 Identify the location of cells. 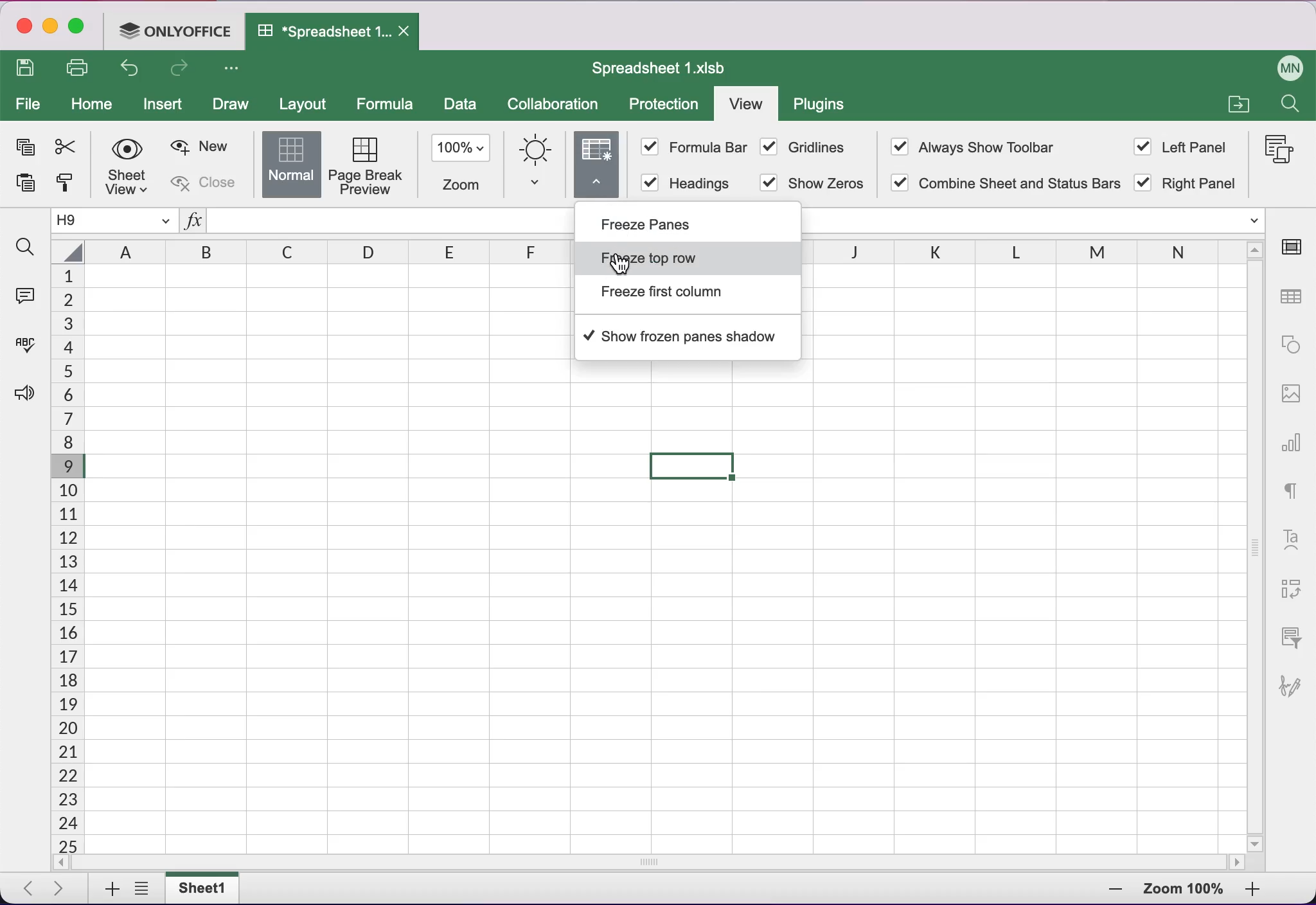
(66, 559).